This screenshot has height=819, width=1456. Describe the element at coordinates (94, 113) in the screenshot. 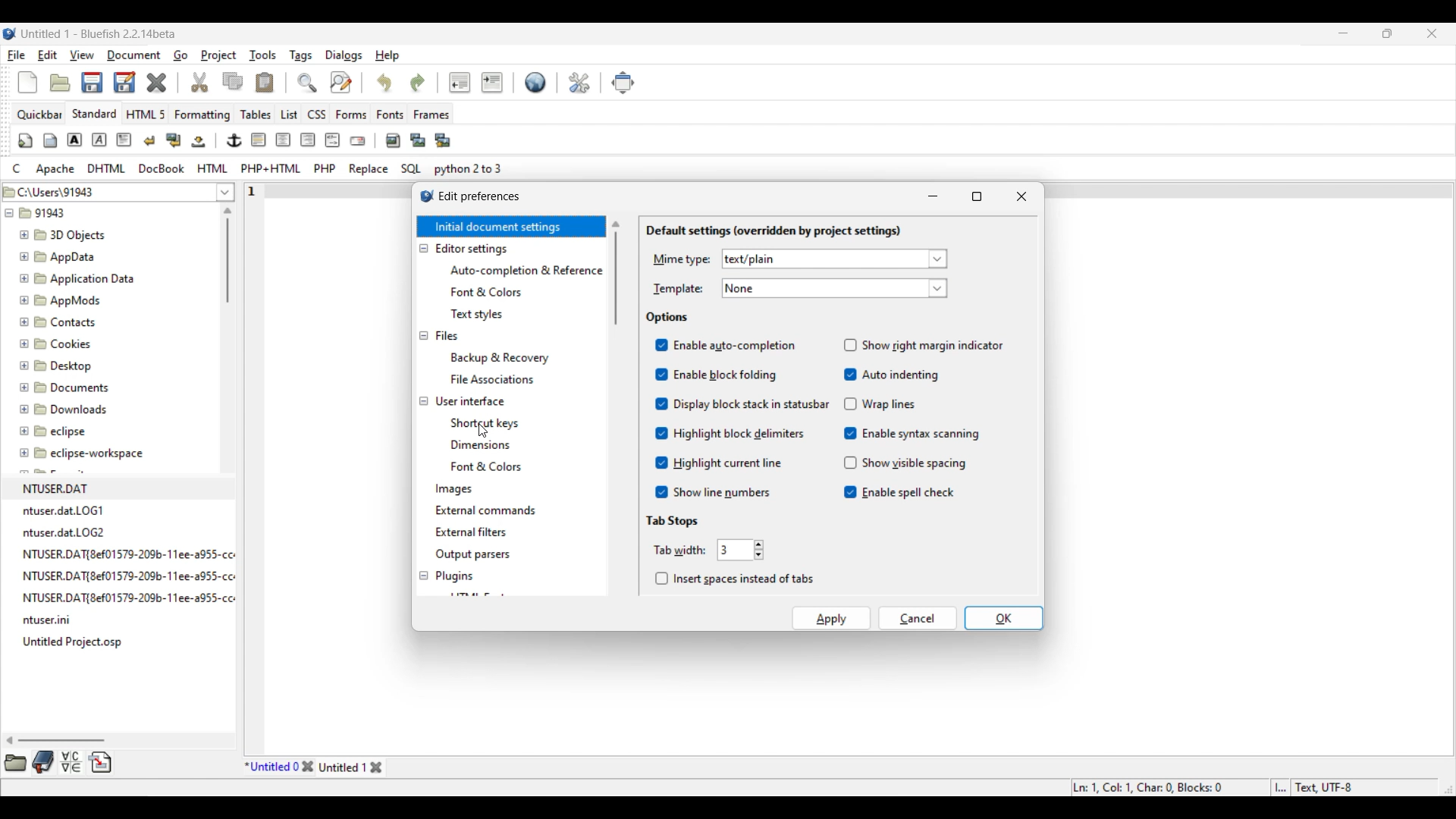

I see `Standard` at that location.